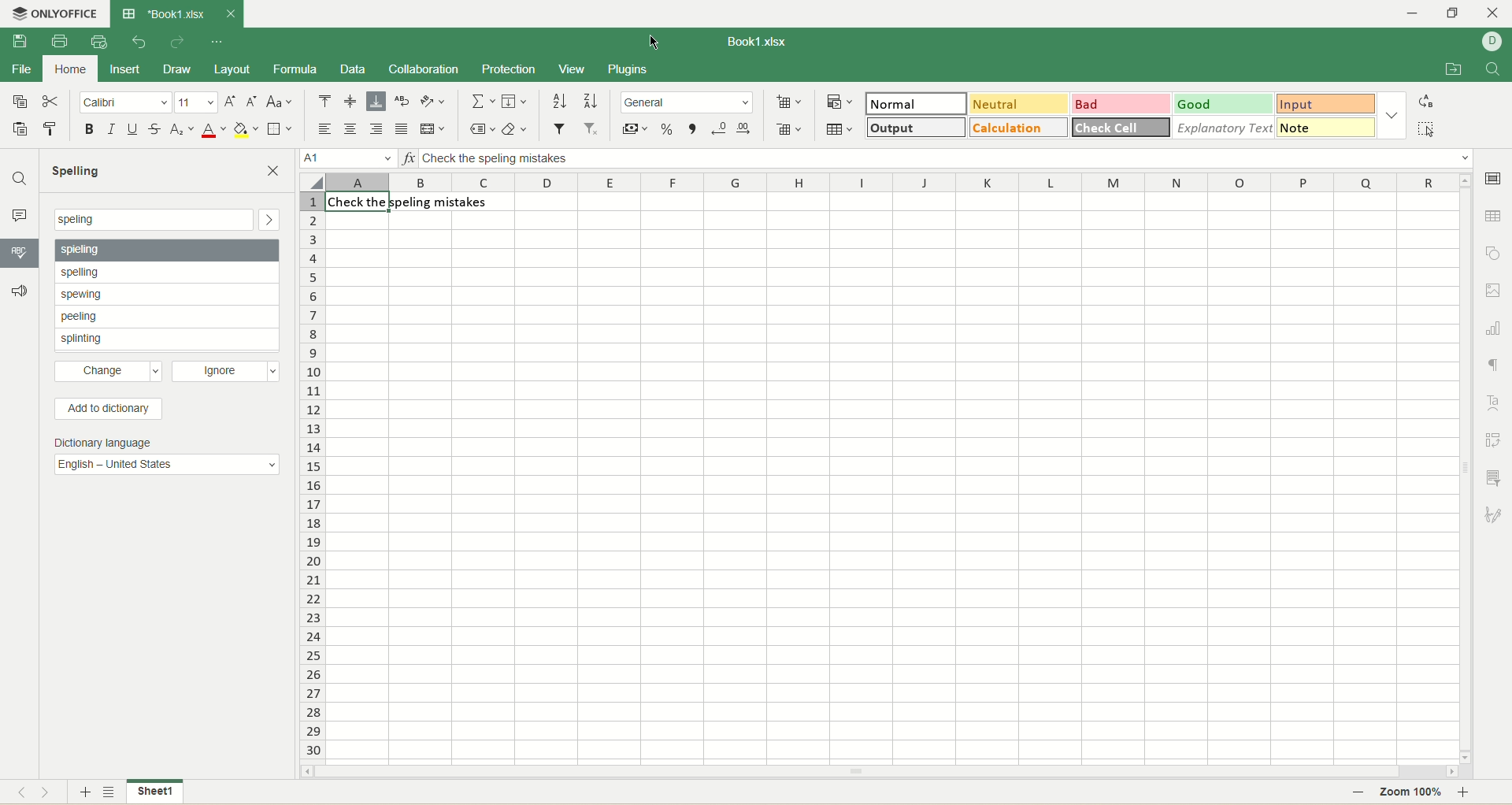 The image size is (1512, 805). I want to click on chart settings, so click(1494, 327).